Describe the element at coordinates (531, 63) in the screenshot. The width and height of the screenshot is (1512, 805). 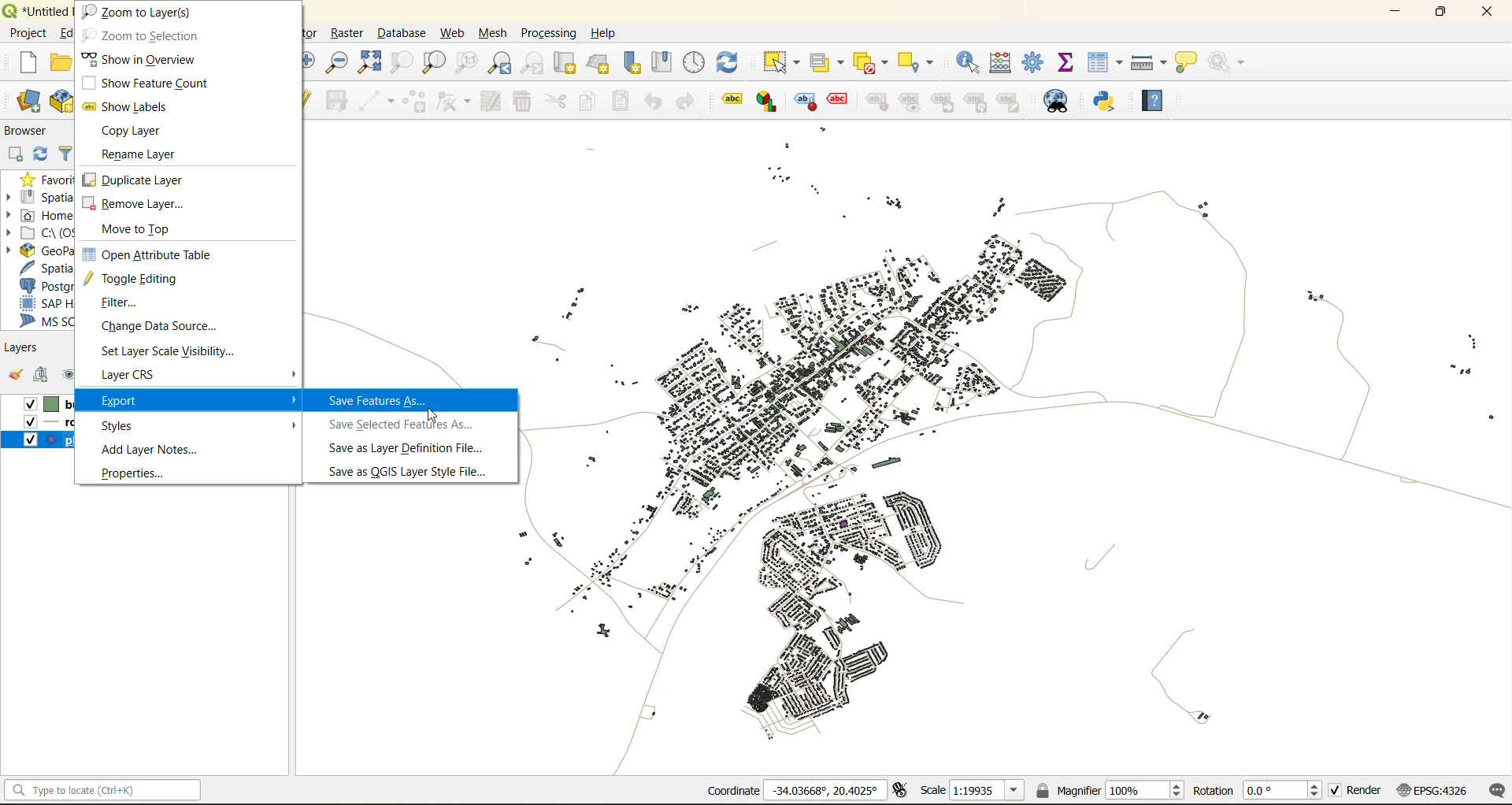
I see `zoom next` at that location.